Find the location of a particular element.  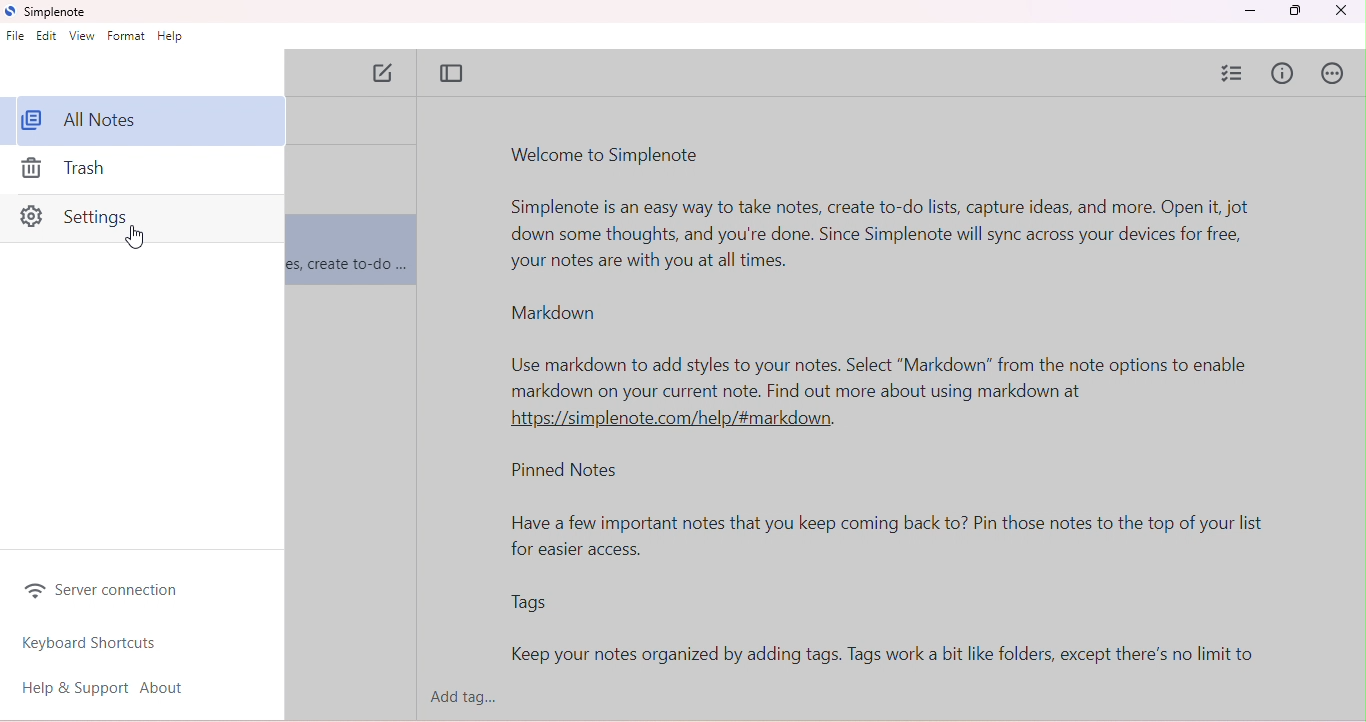

help is located at coordinates (171, 37).